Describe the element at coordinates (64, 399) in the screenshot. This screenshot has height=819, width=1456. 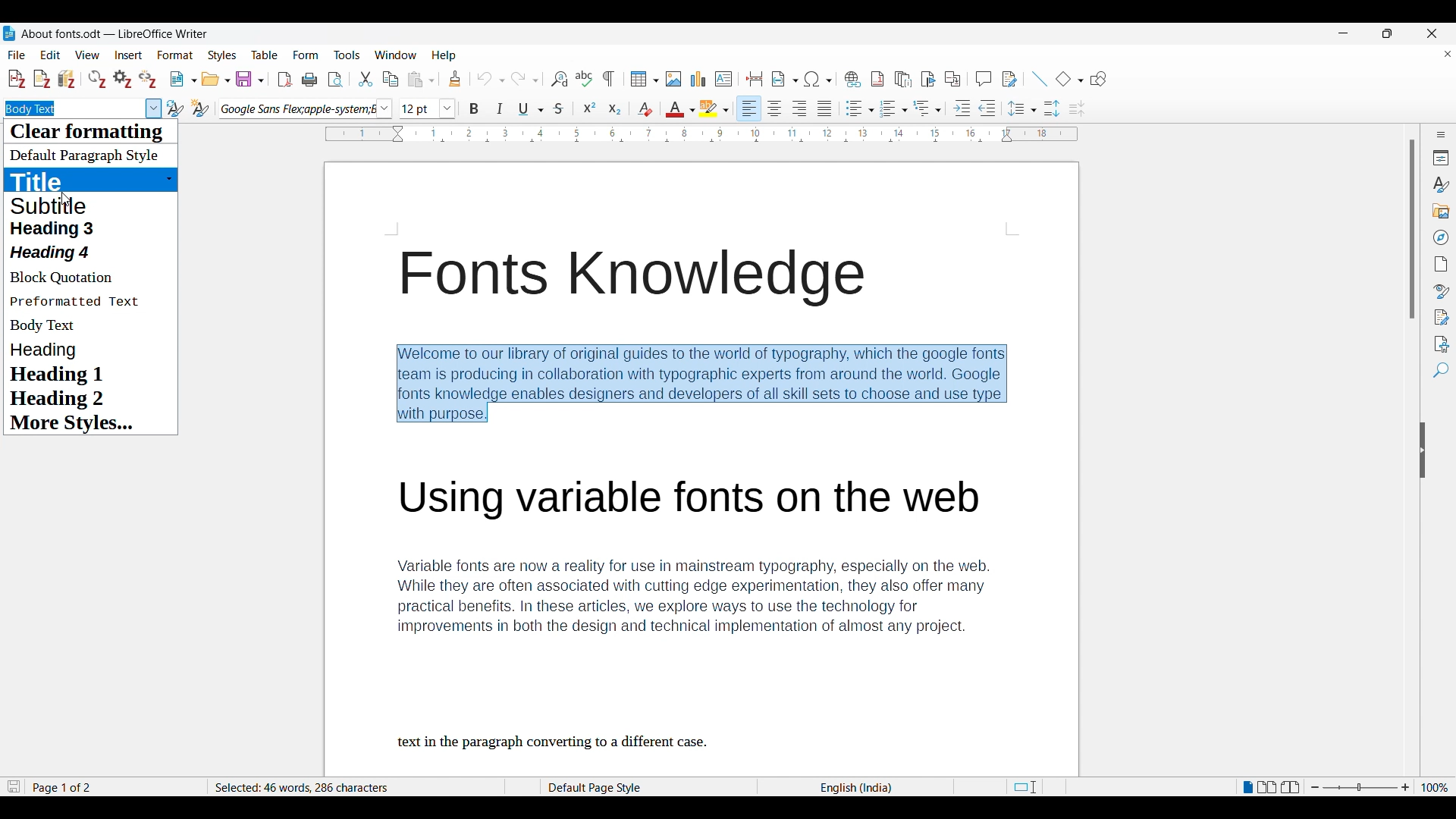
I see `heading 2` at that location.